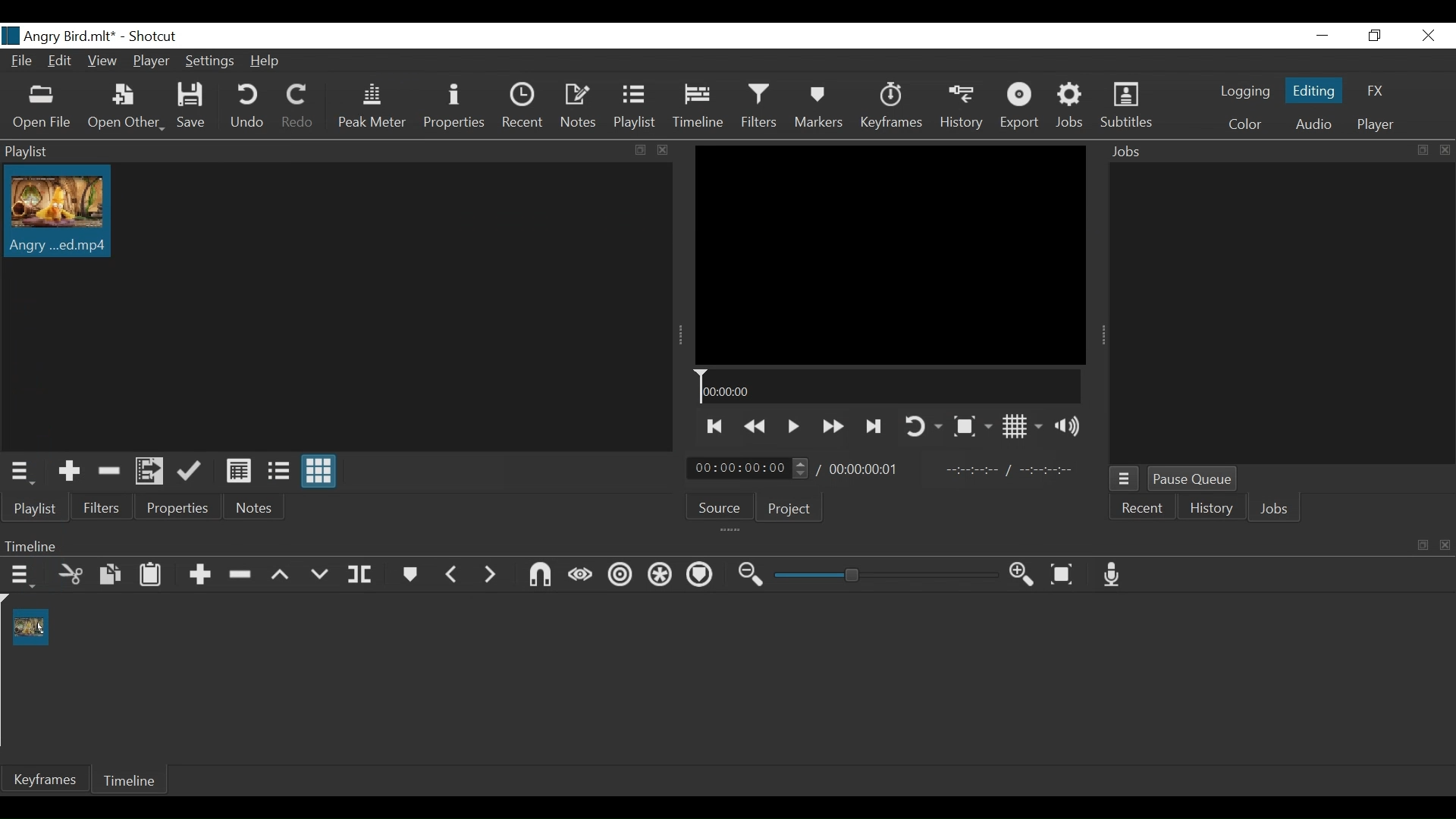 The width and height of the screenshot is (1456, 819). I want to click on Copy, so click(110, 575).